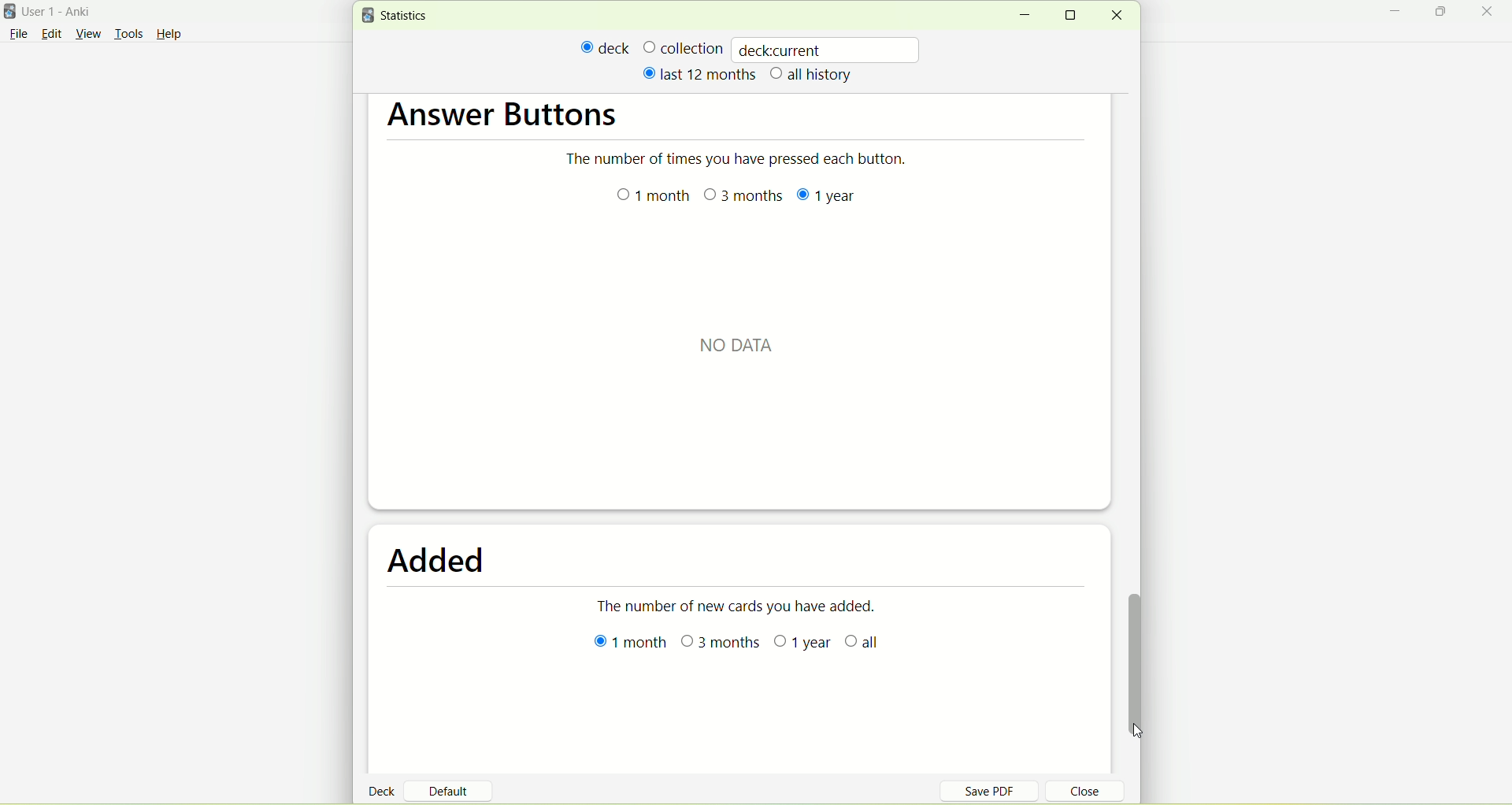 The image size is (1512, 805). I want to click on tools, so click(128, 35).